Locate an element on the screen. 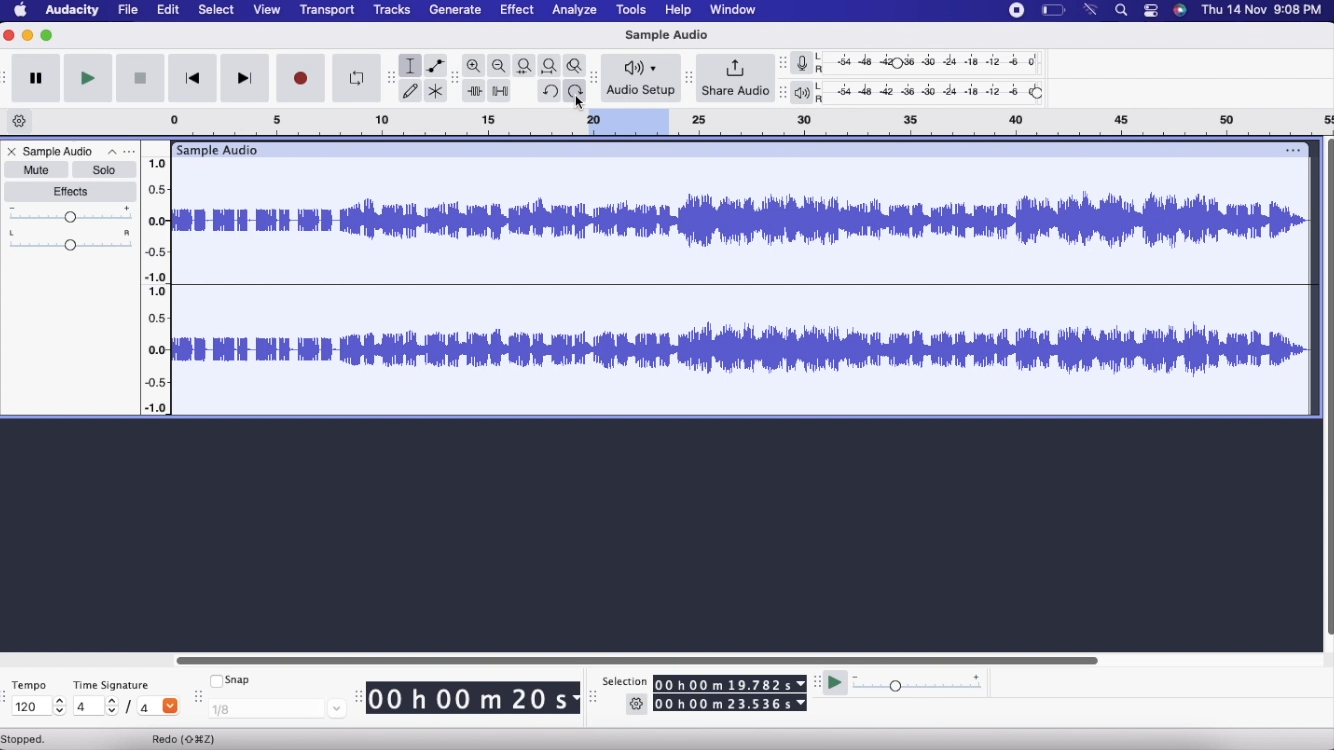 The width and height of the screenshot is (1334, 750). Sample Audio is located at coordinates (60, 152).